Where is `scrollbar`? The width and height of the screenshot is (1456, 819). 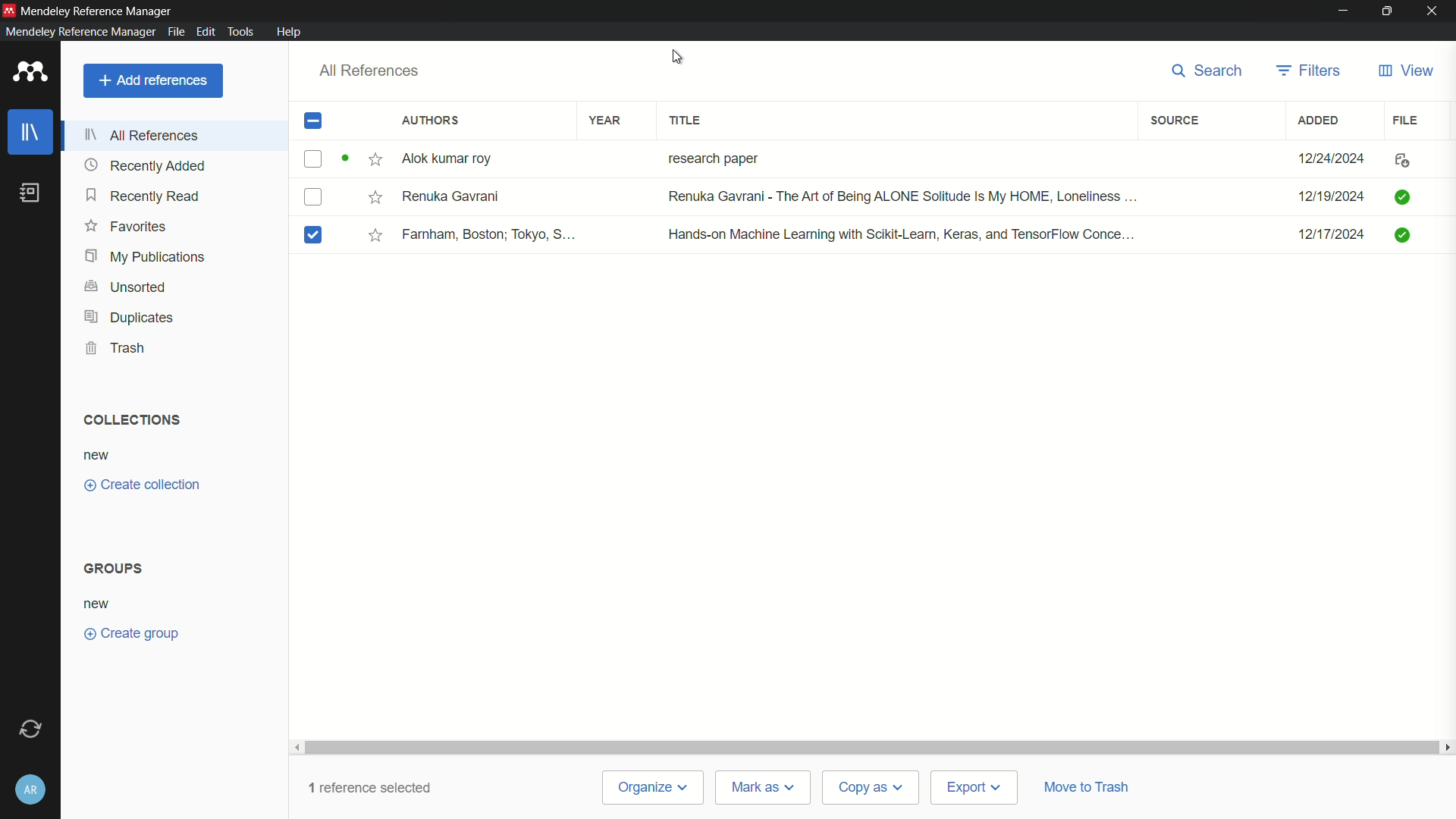
scrollbar is located at coordinates (873, 747).